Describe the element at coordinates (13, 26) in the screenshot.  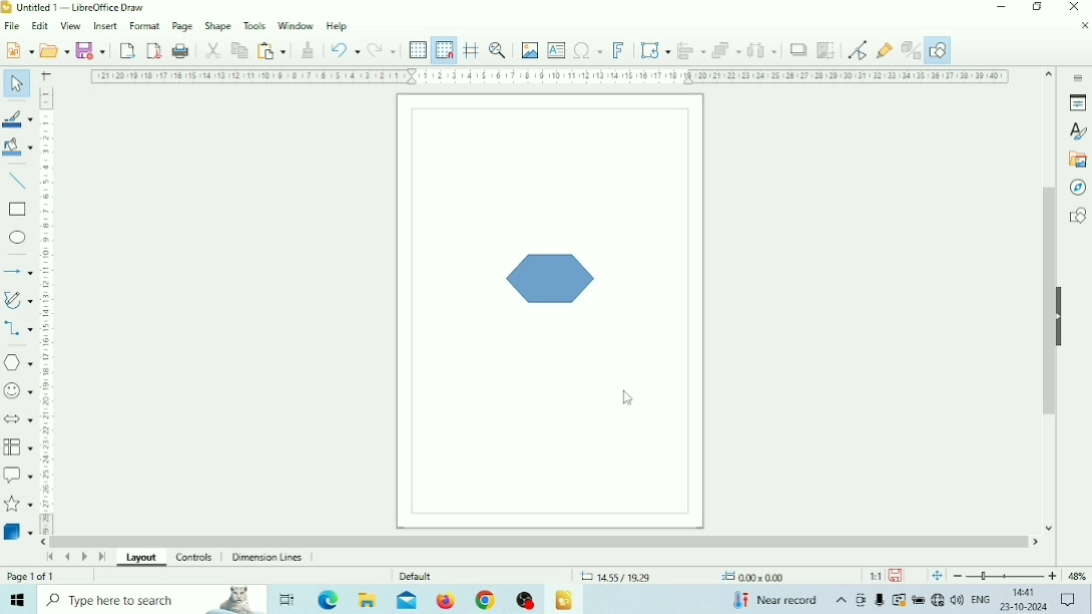
I see `File` at that location.